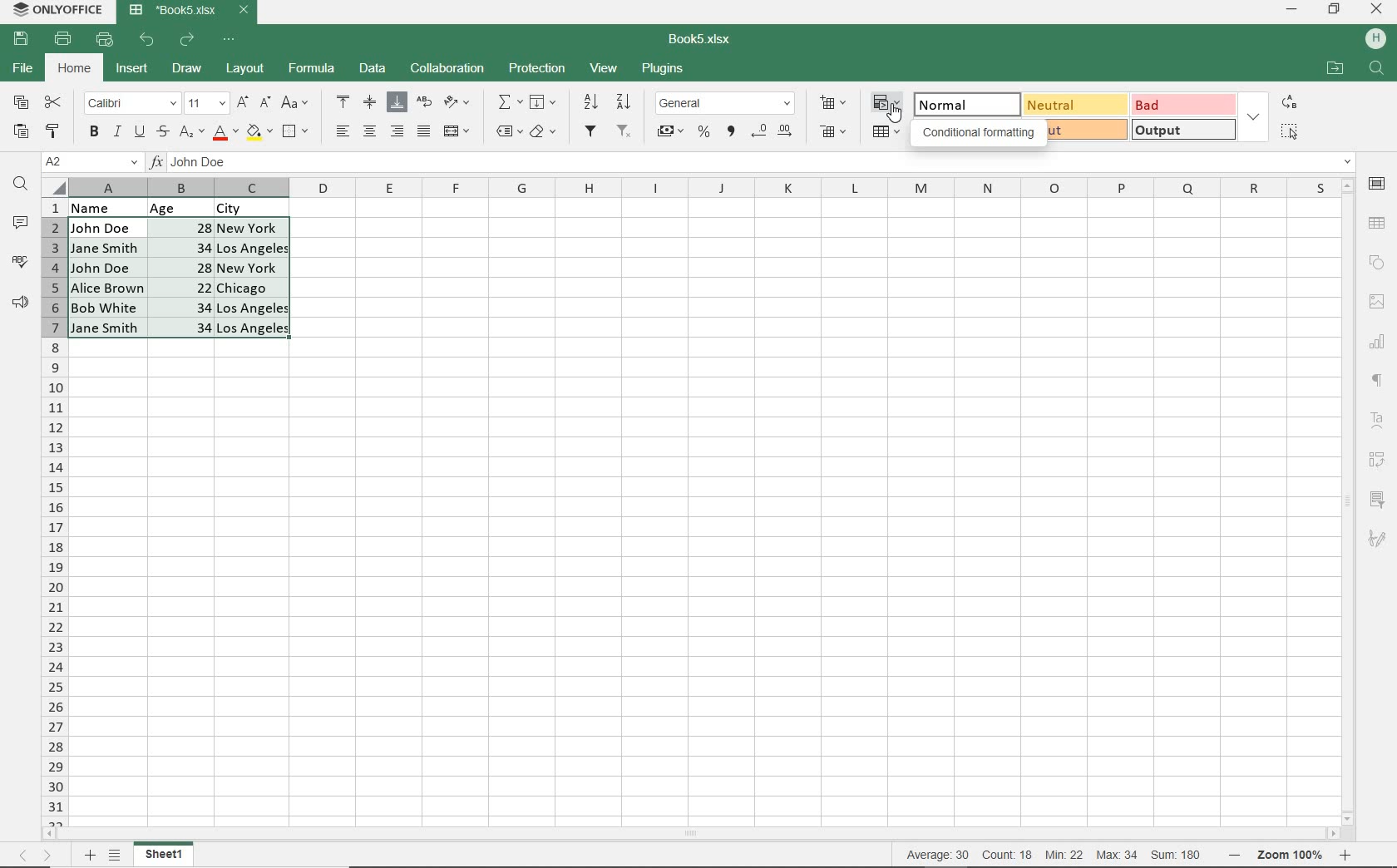  Describe the element at coordinates (116, 131) in the screenshot. I see `ITALIC` at that location.